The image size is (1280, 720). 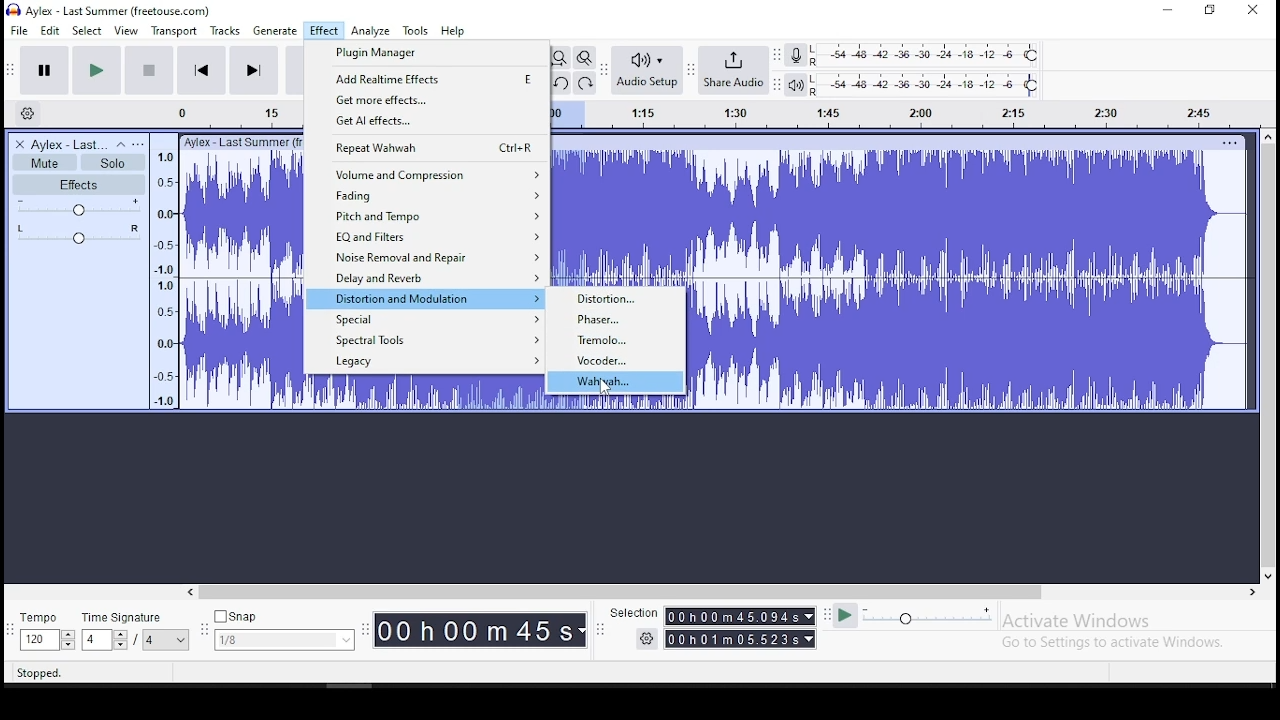 I want to click on Selection, so click(x=627, y=611).